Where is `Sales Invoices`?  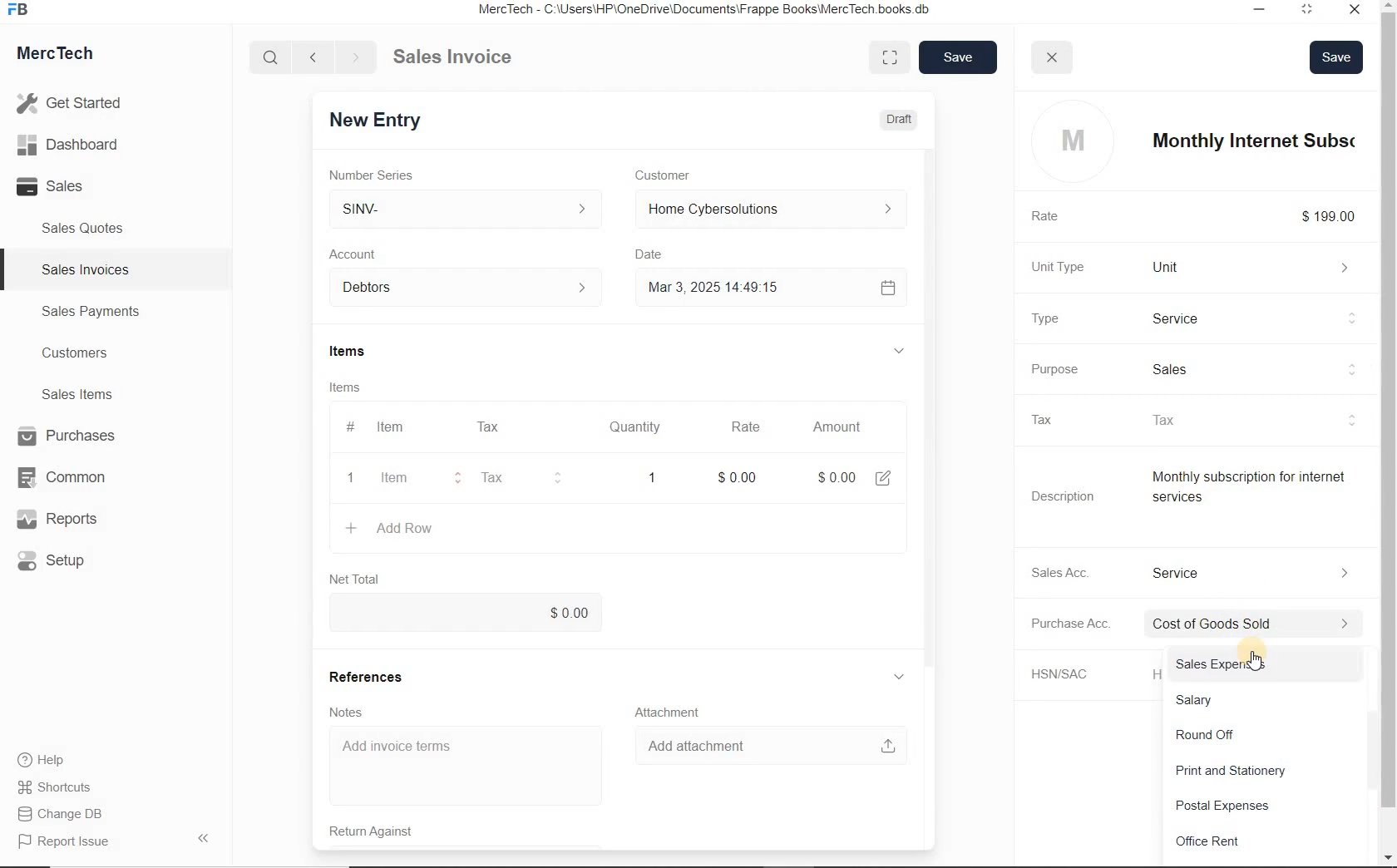 Sales Invoices is located at coordinates (86, 269).